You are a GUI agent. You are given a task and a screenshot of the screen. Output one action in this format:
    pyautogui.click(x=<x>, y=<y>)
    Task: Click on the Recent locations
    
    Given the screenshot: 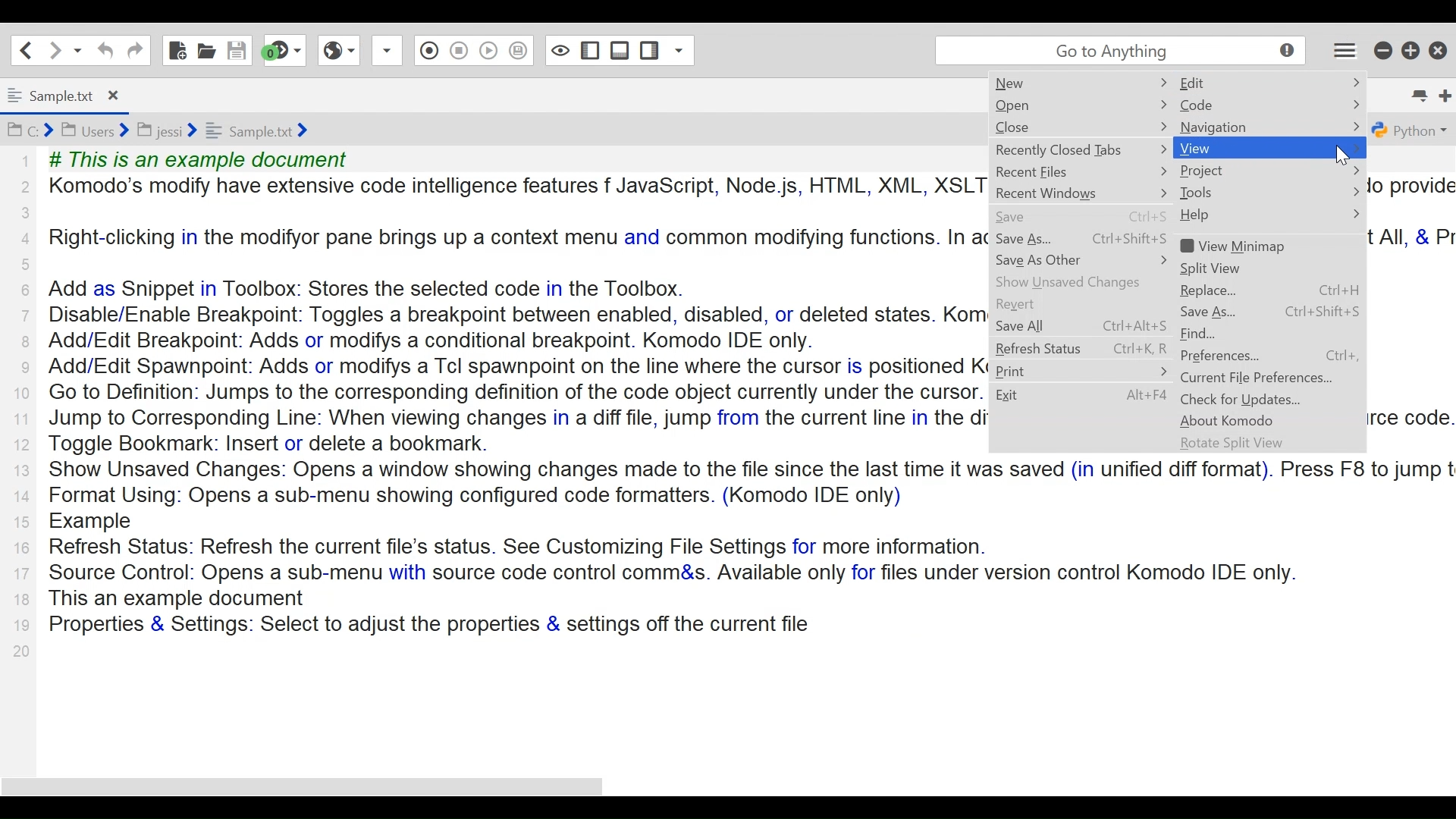 What is the action you would take?
    pyautogui.click(x=77, y=49)
    